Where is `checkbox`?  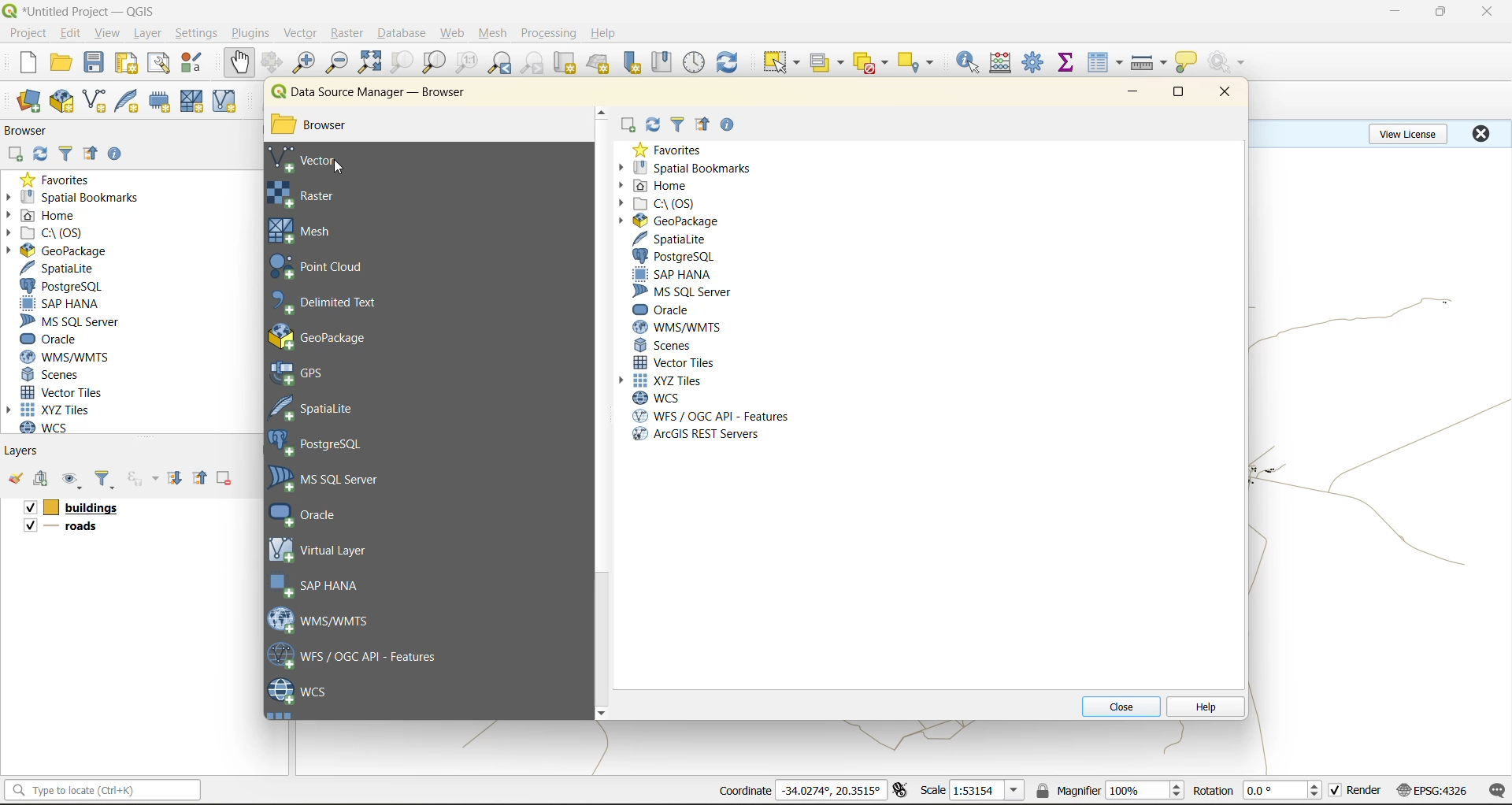 checkbox is located at coordinates (28, 508).